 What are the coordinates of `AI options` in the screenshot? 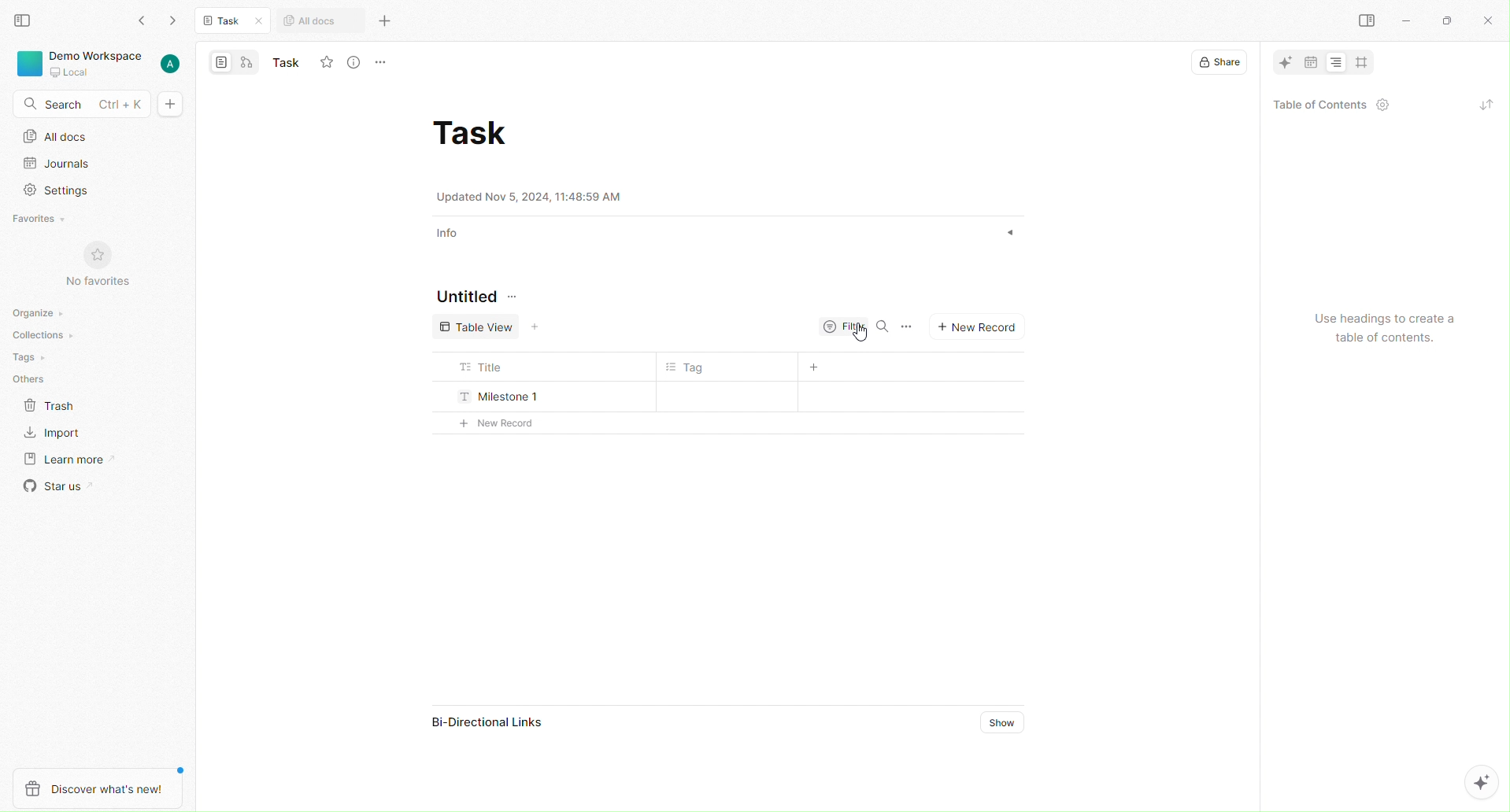 It's located at (1487, 787).